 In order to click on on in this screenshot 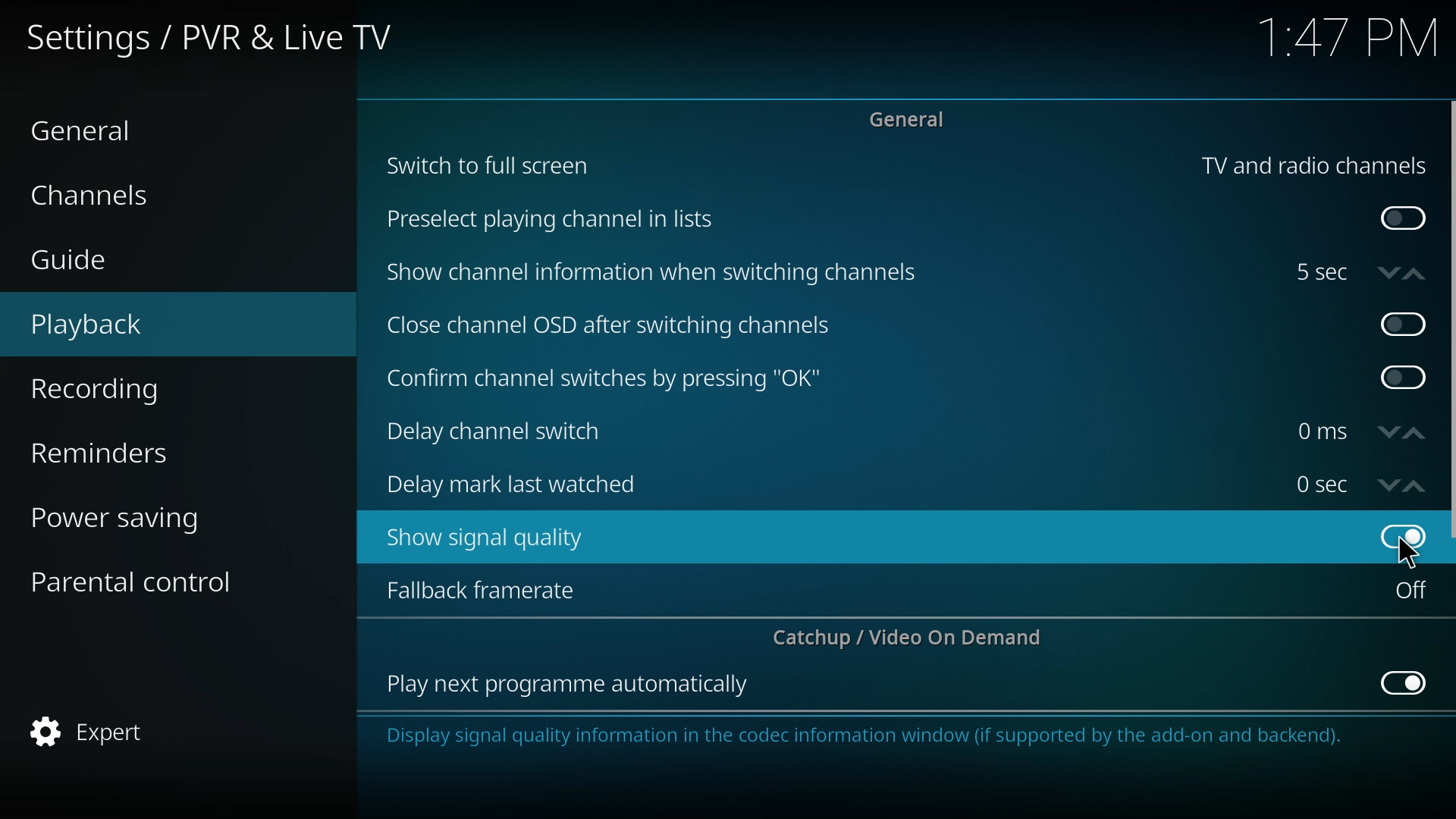, I will do `click(1411, 590)`.